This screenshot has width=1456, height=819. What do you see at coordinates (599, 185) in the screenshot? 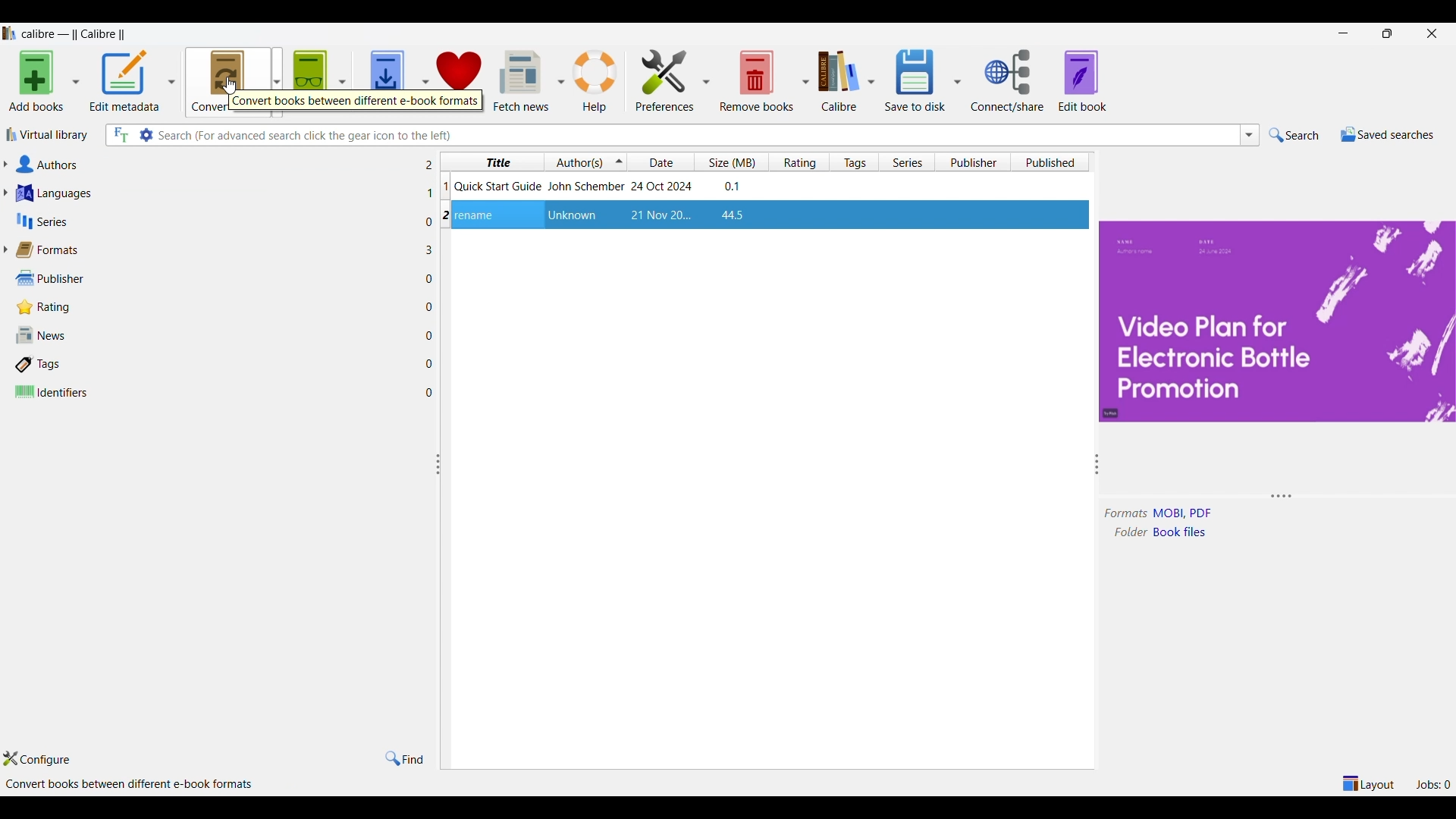
I see `Book: Quick Start Guide` at bounding box center [599, 185].